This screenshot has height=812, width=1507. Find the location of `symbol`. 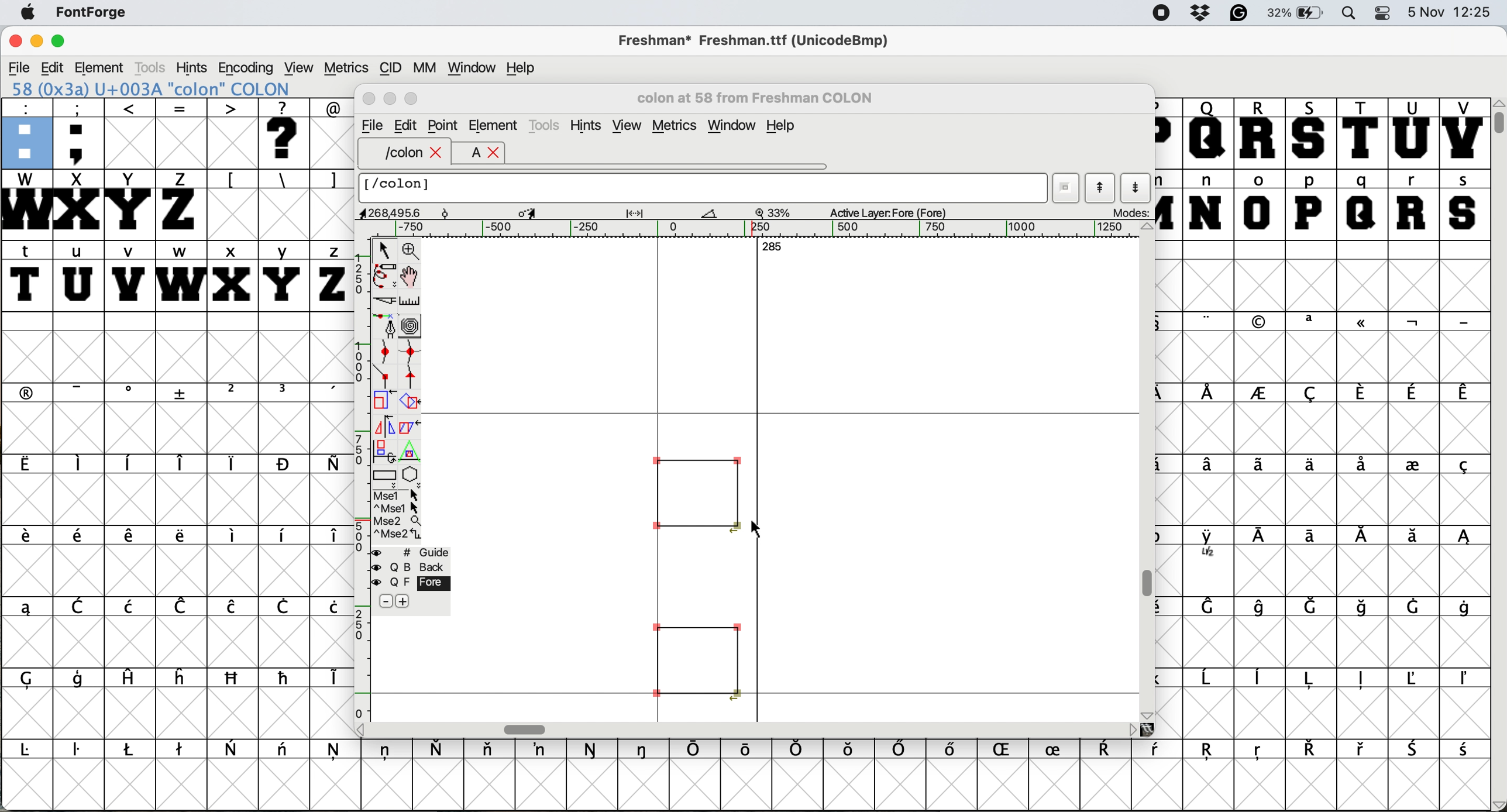

symbol is located at coordinates (232, 608).